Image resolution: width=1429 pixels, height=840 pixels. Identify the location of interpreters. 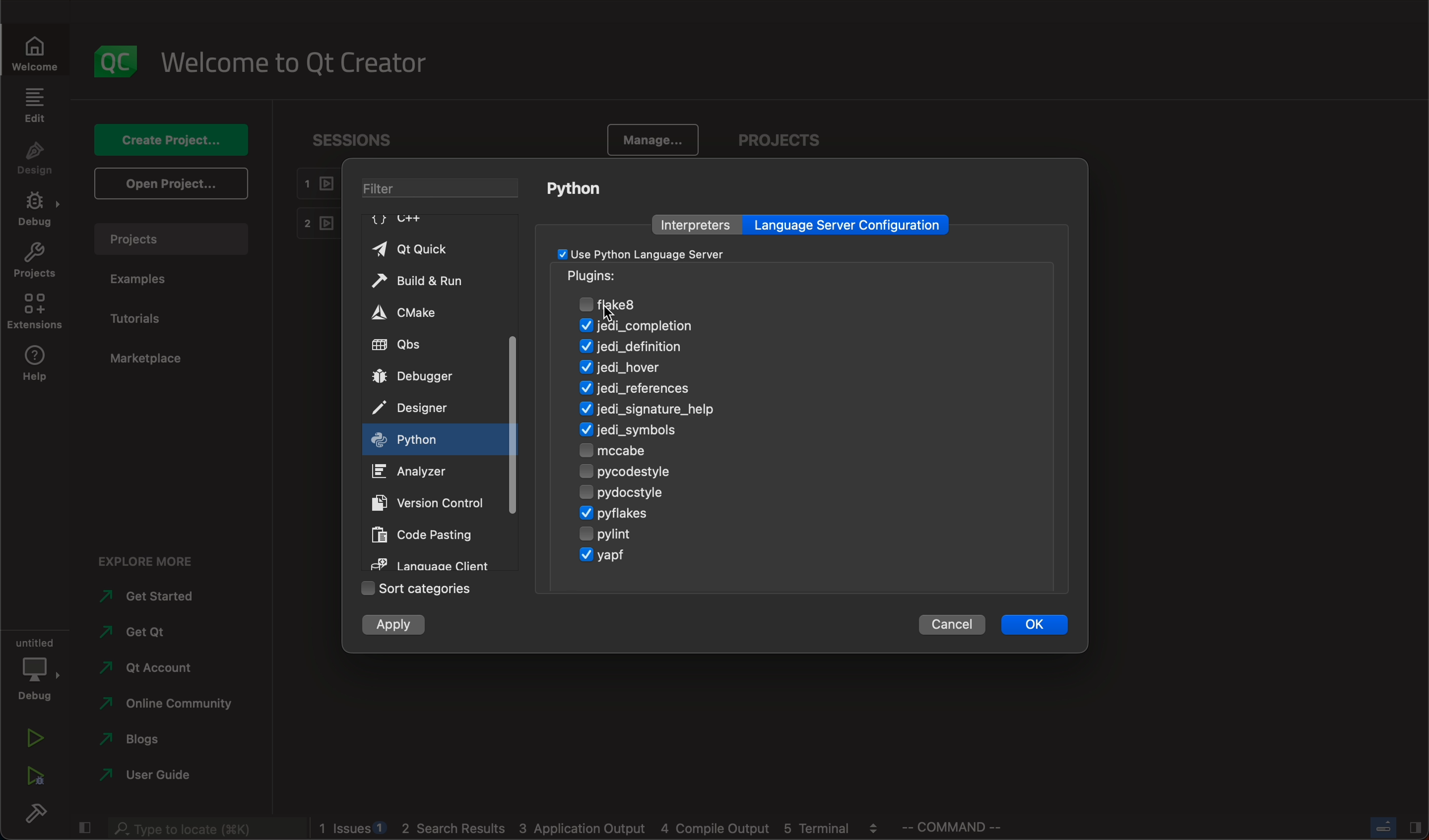
(697, 224).